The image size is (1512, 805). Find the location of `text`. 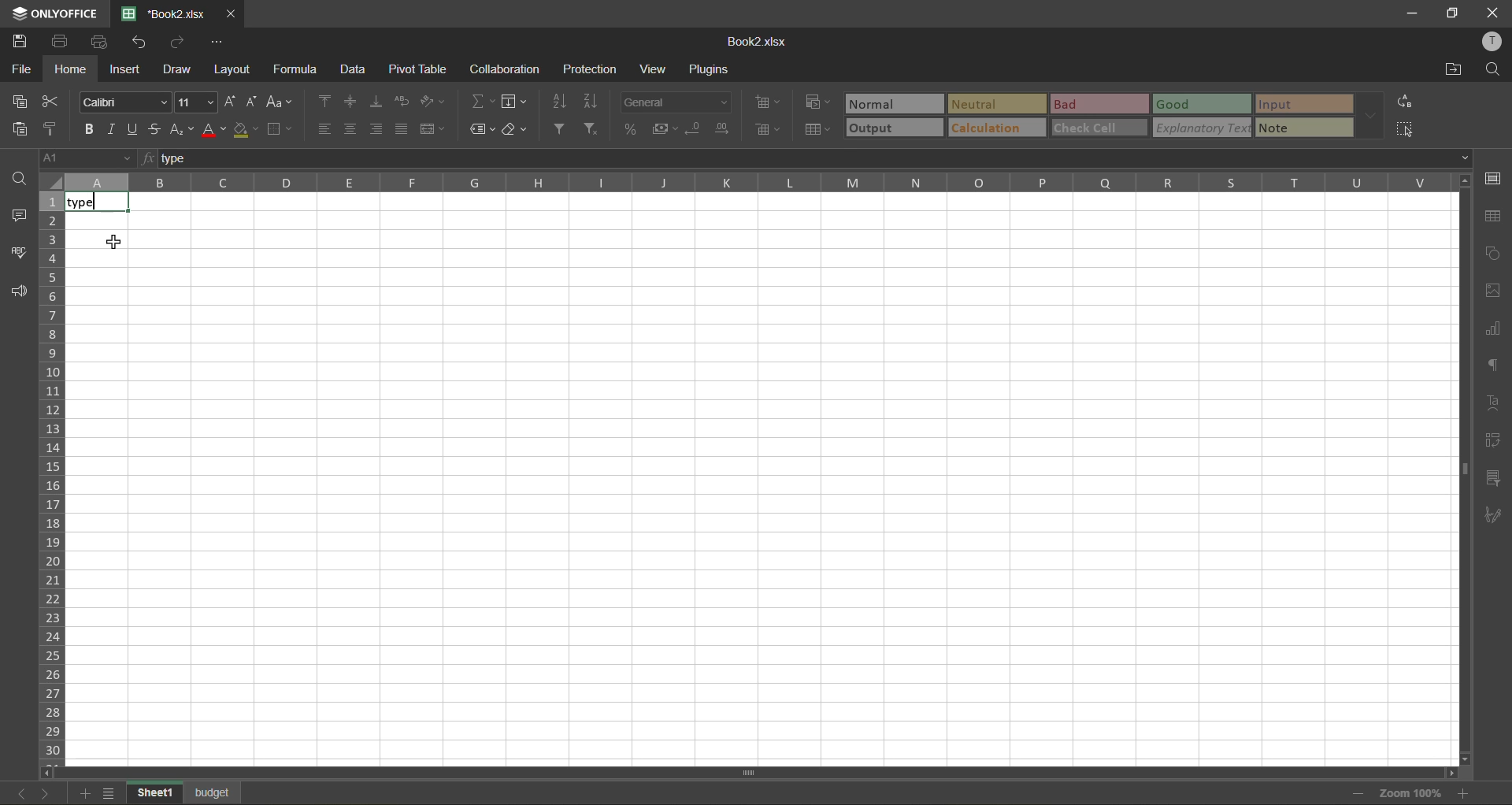

text is located at coordinates (1492, 404).